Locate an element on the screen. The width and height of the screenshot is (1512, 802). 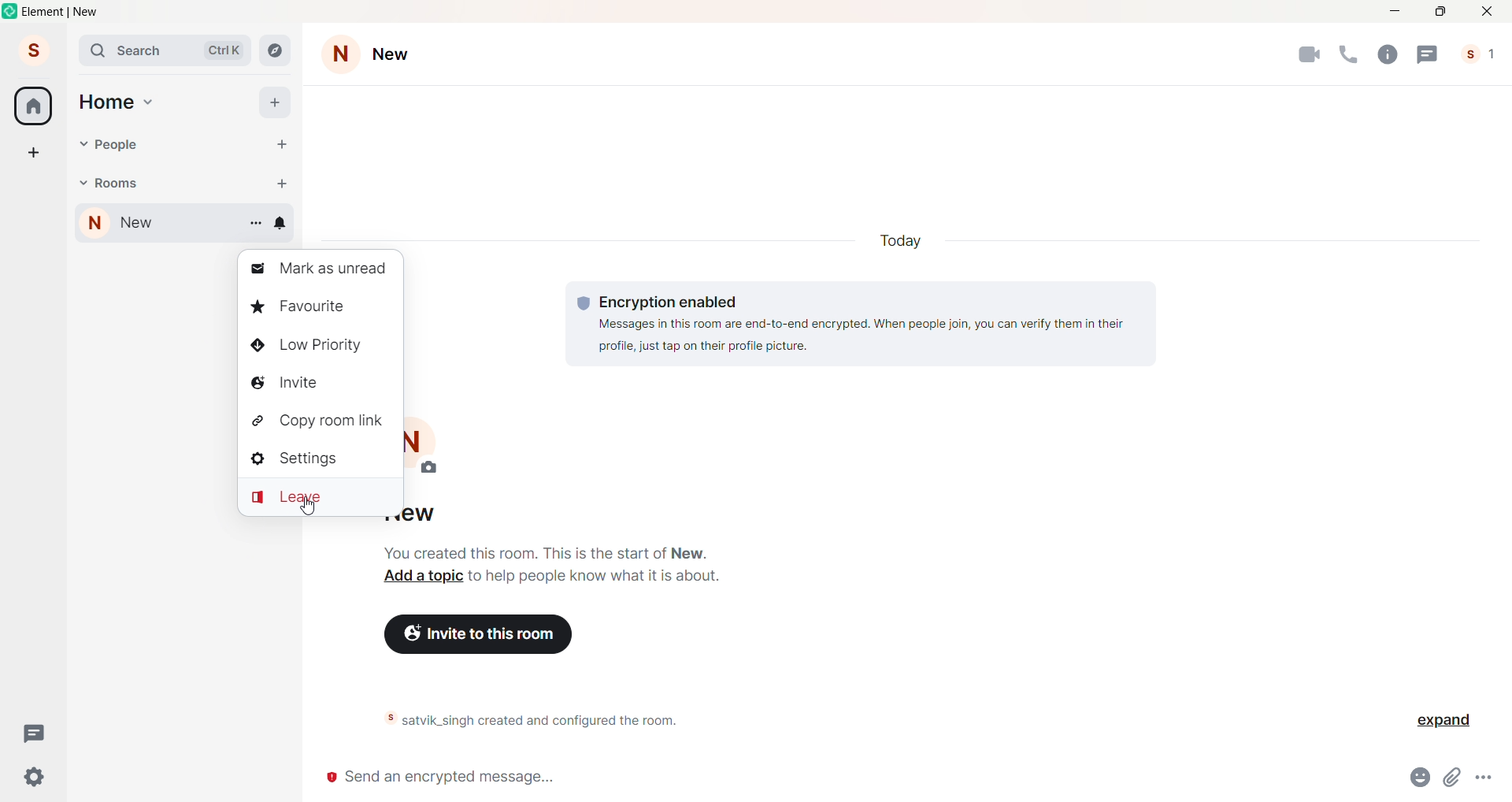
send an encrypted message... is located at coordinates (852, 779).